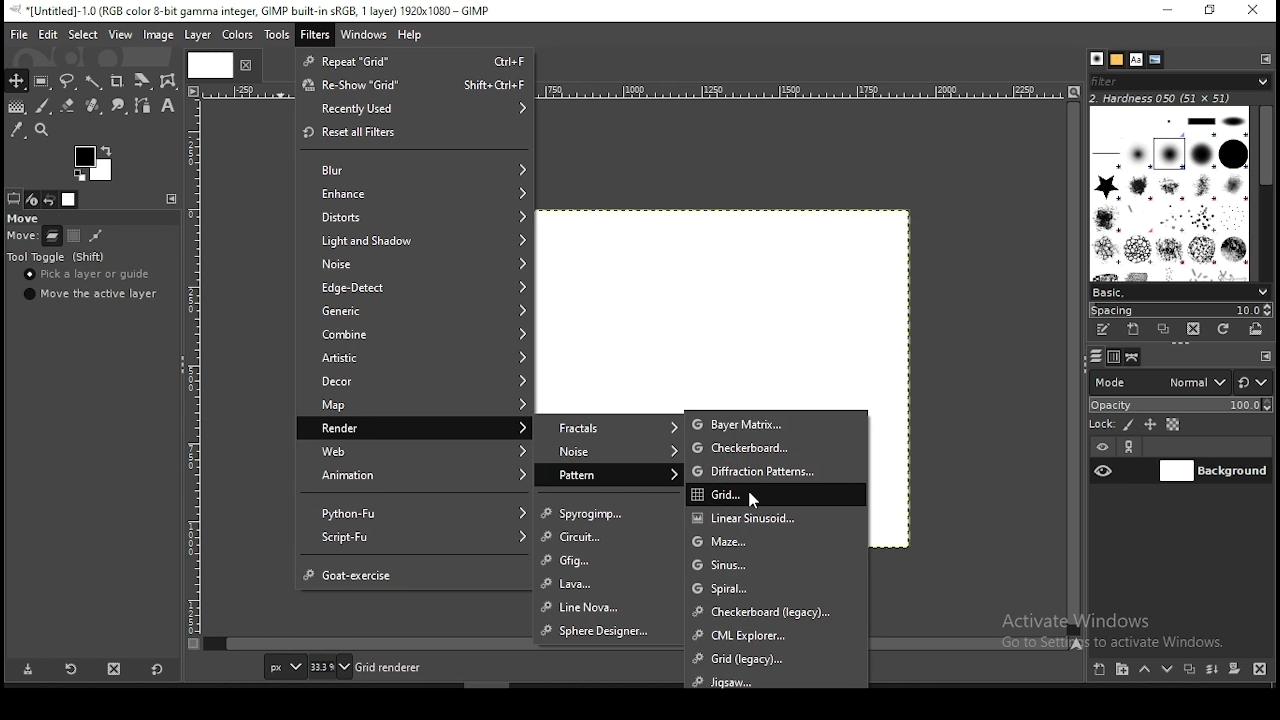 This screenshot has width=1280, height=720. What do you see at coordinates (91, 294) in the screenshot?
I see `move the active layer` at bounding box center [91, 294].